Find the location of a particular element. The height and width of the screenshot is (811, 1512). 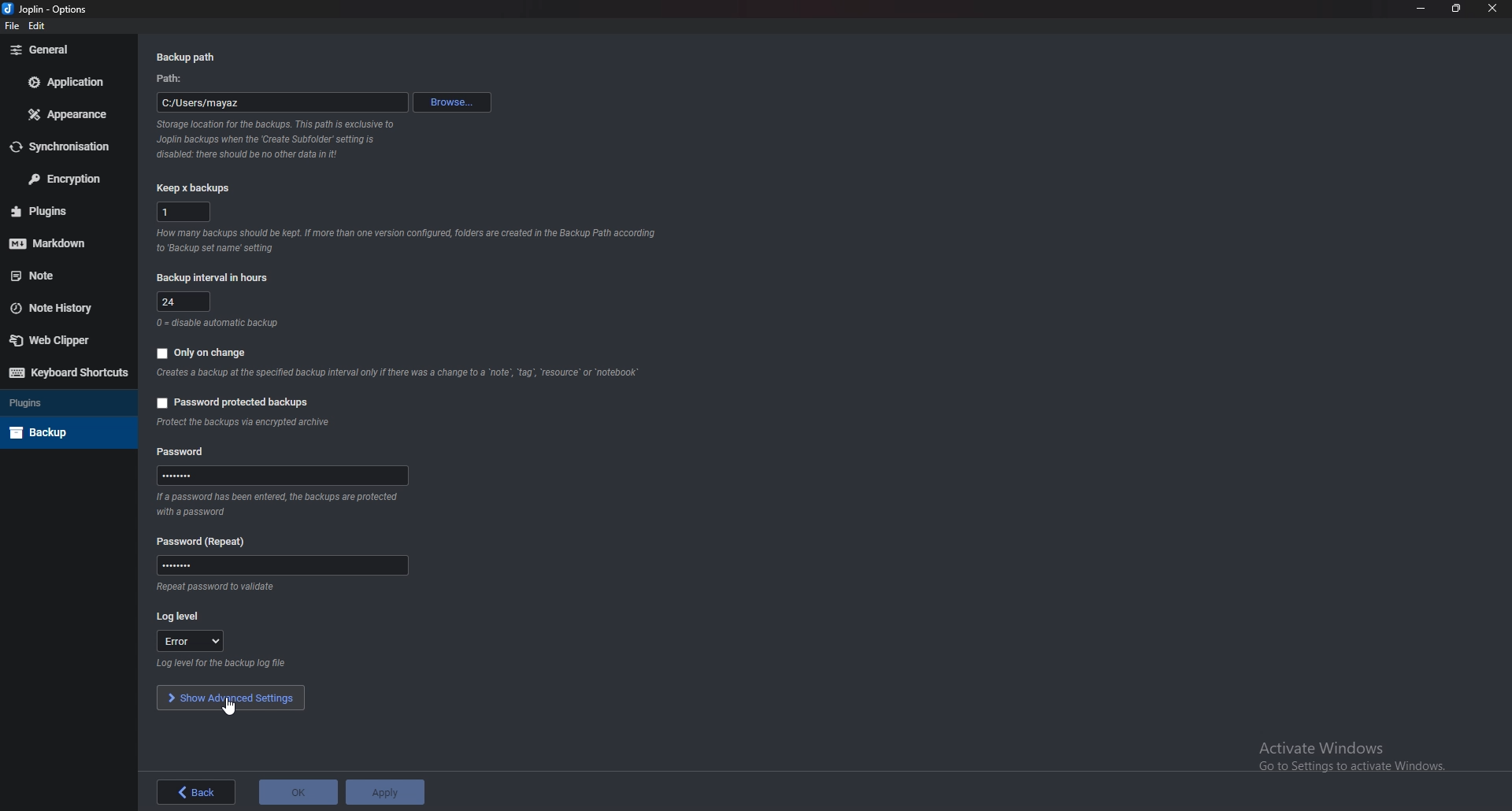

Backup interval in hours is located at coordinates (215, 278).